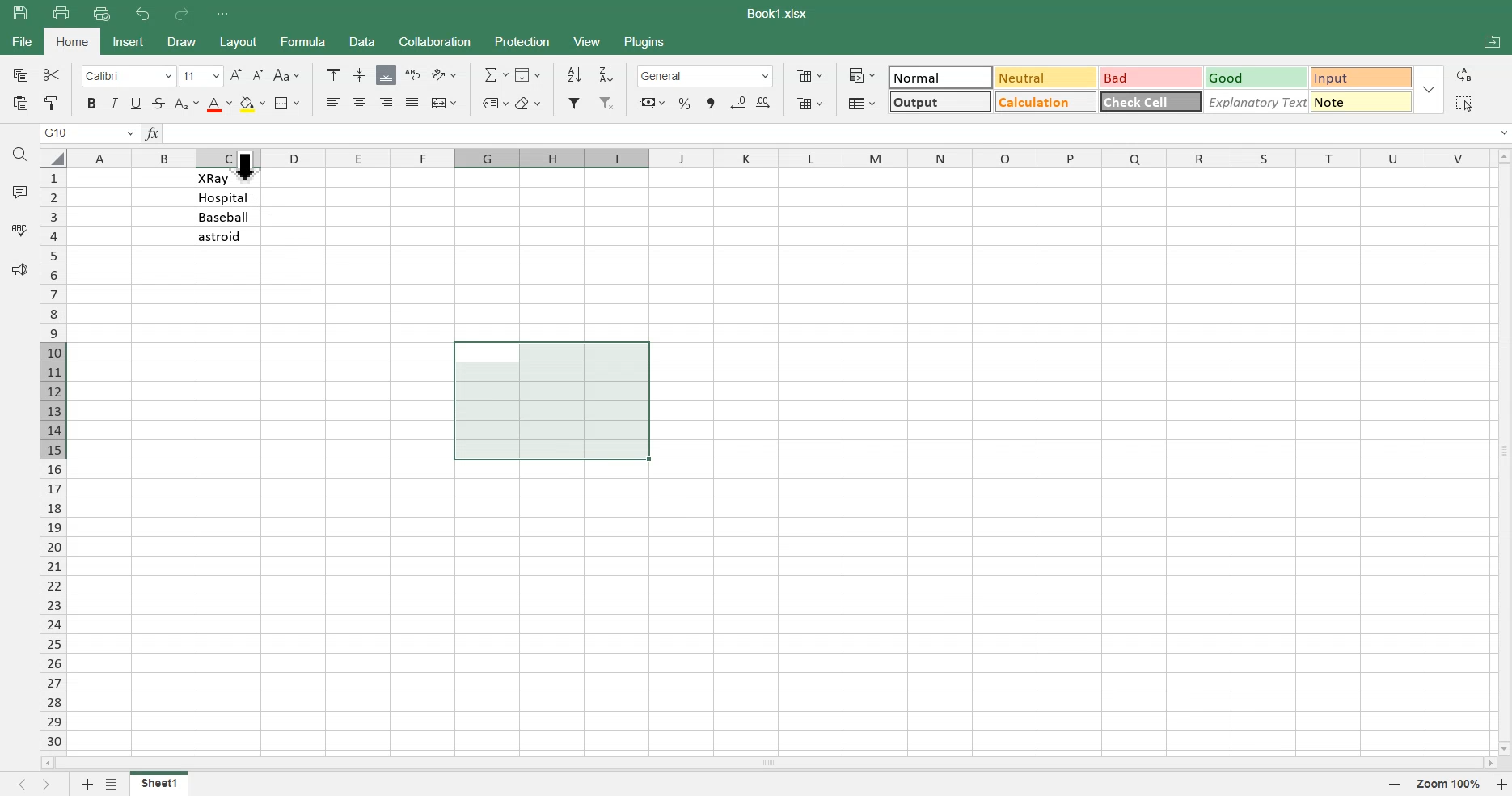 The height and width of the screenshot is (796, 1512). What do you see at coordinates (1043, 102) in the screenshot?
I see `calculations` at bounding box center [1043, 102].